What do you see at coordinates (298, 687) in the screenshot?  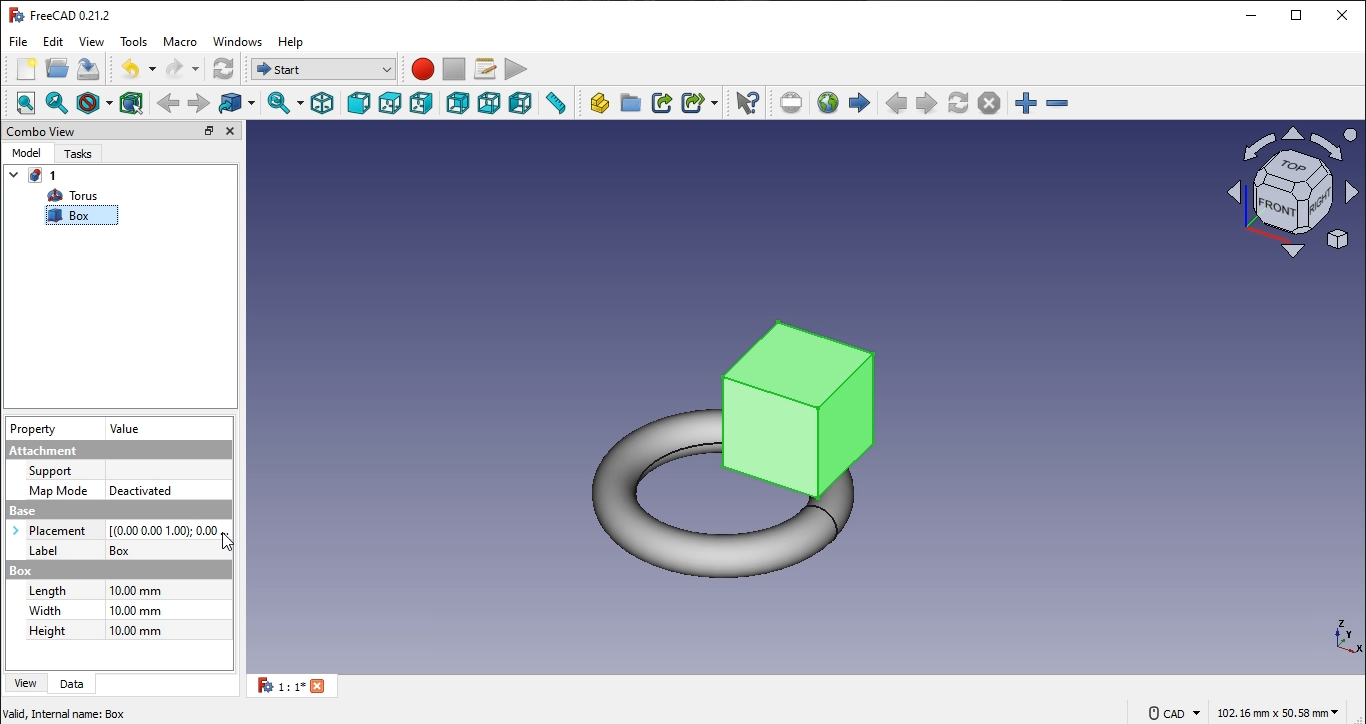 I see `1` at bounding box center [298, 687].